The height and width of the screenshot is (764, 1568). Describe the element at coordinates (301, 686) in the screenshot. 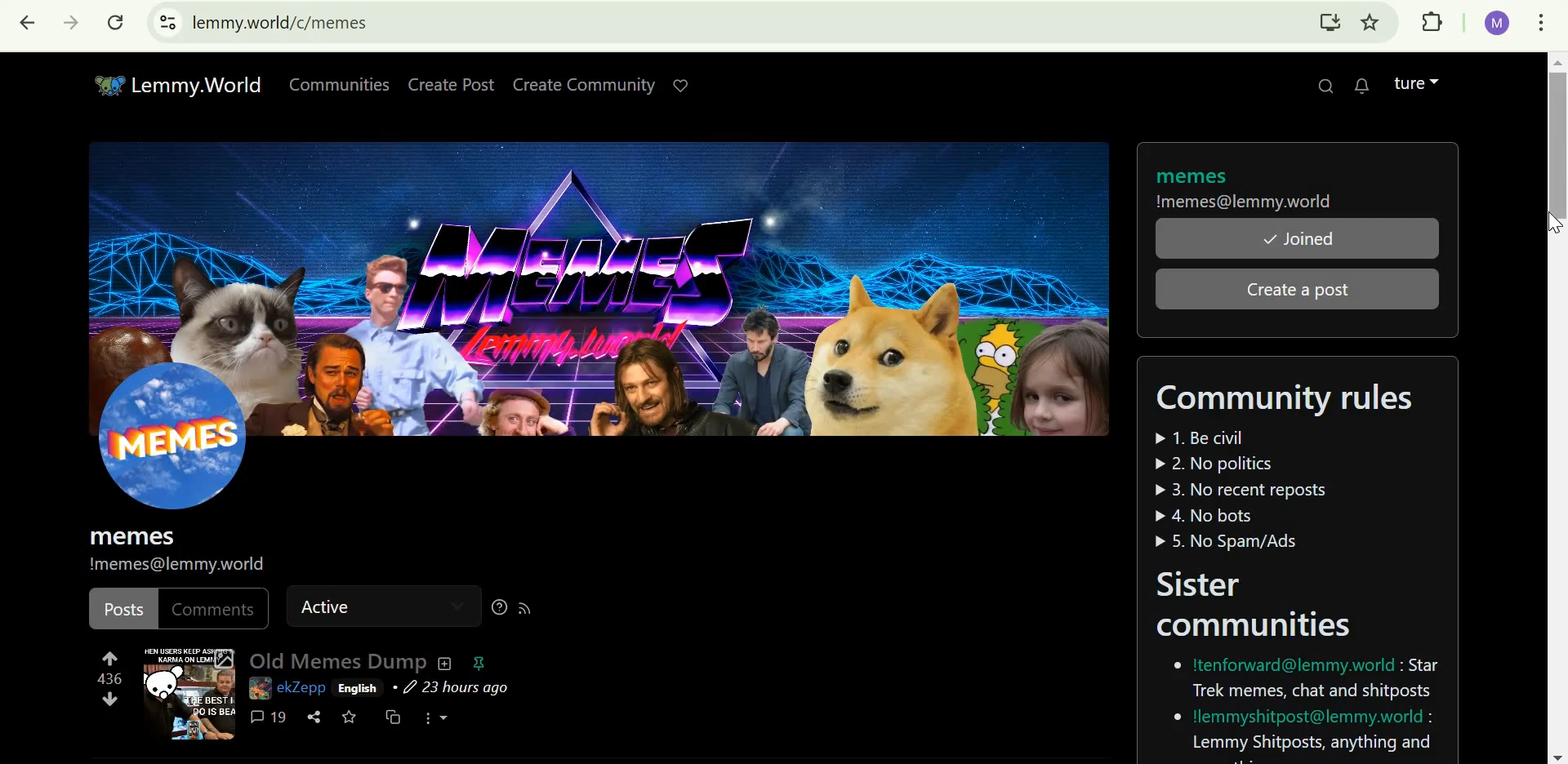

I see `ekZepp` at that location.